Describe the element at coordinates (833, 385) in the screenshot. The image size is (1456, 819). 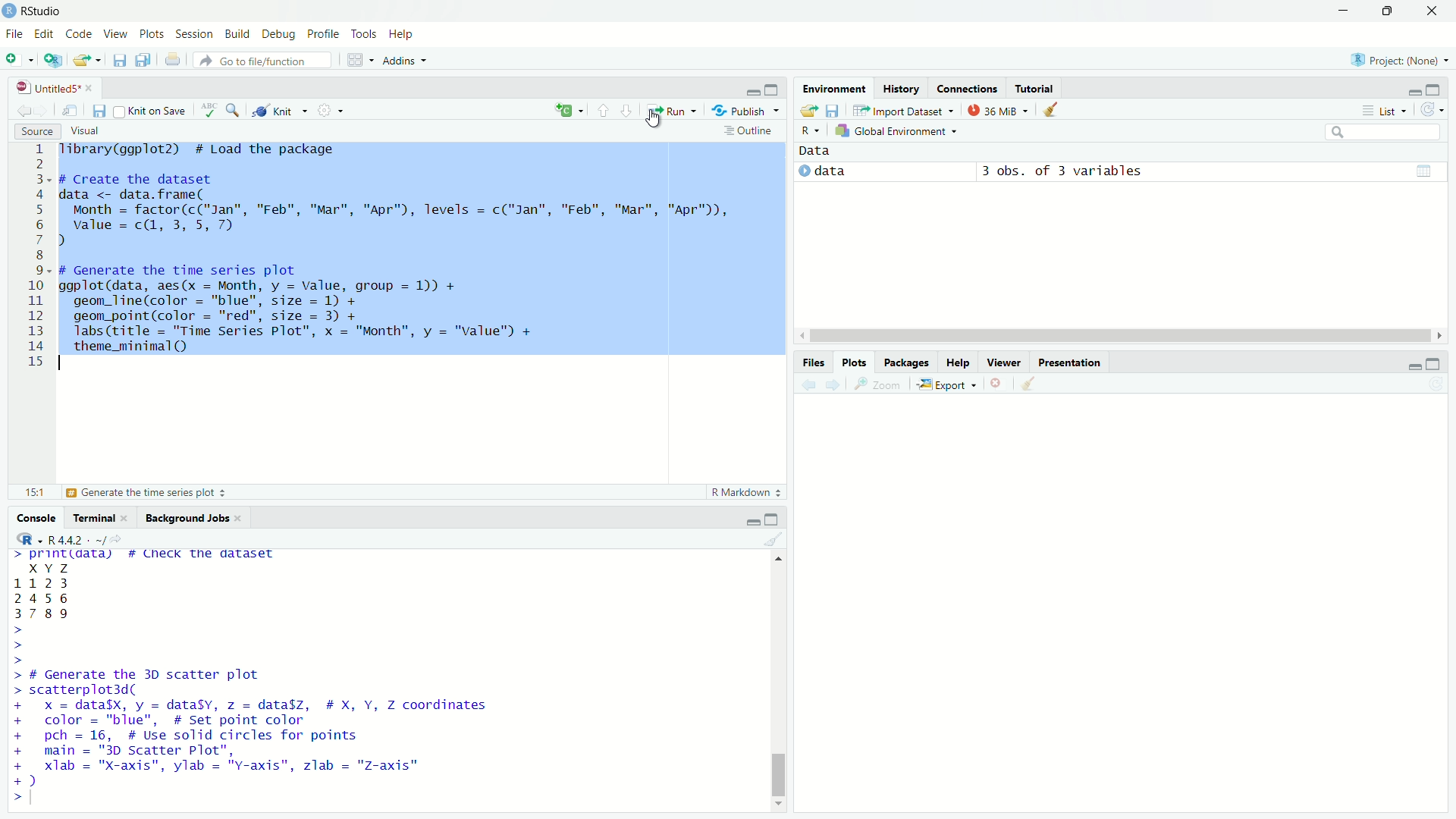
I see `next plot` at that location.